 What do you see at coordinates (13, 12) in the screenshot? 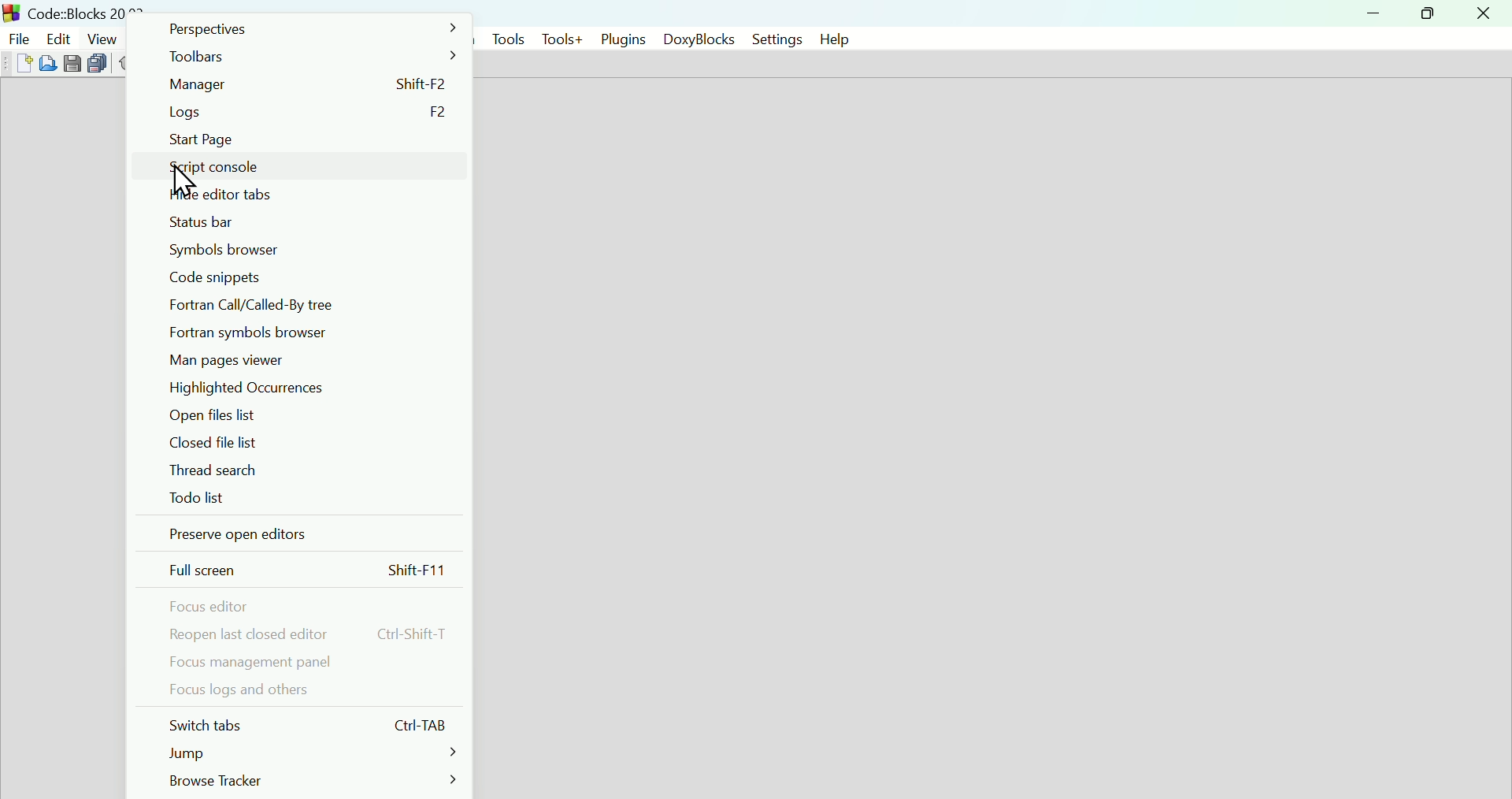
I see `Code Blocks Desktop icon` at bounding box center [13, 12].